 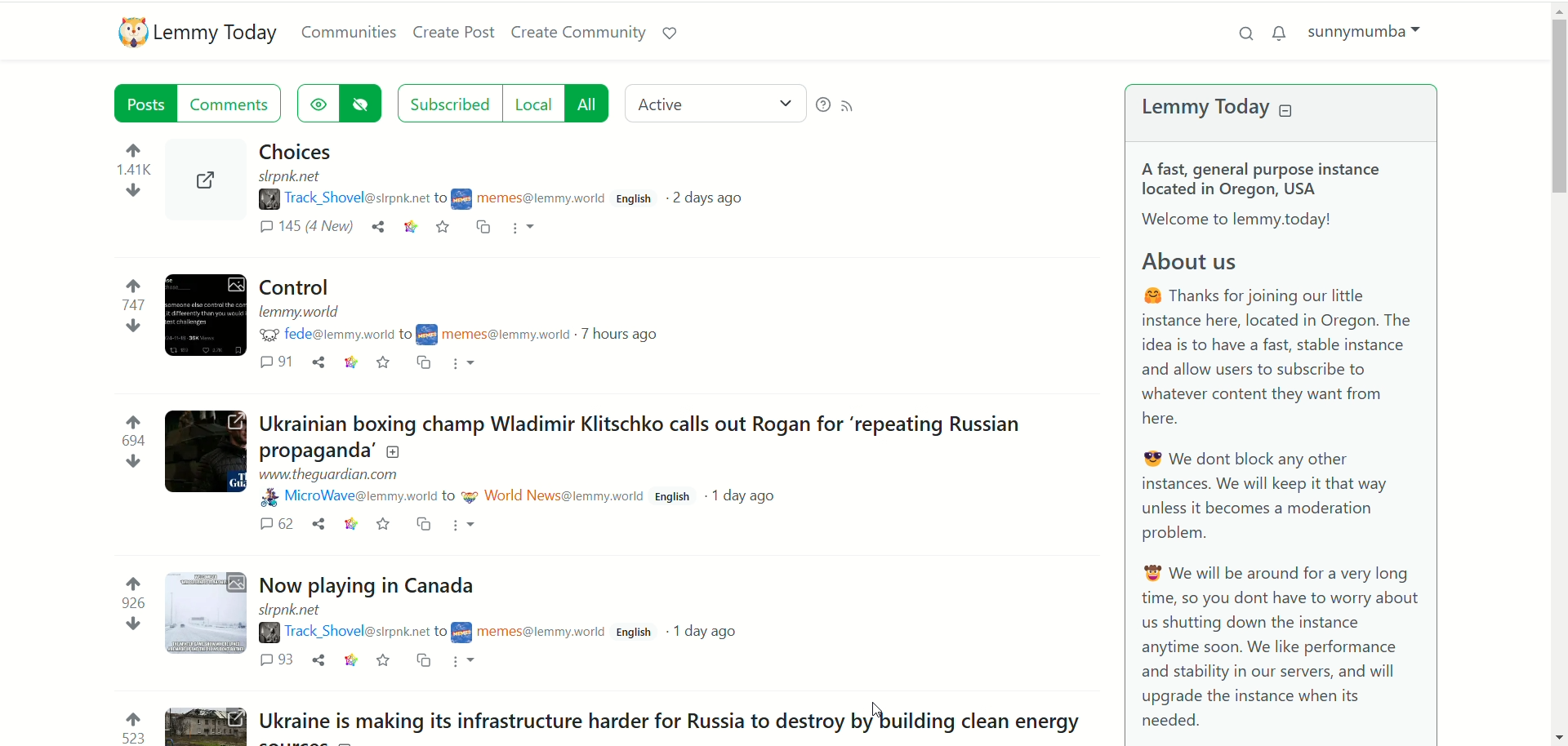 What do you see at coordinates (127, 726) in the screenshot?
I see `votes up and down` at bounding box center [127, 726].